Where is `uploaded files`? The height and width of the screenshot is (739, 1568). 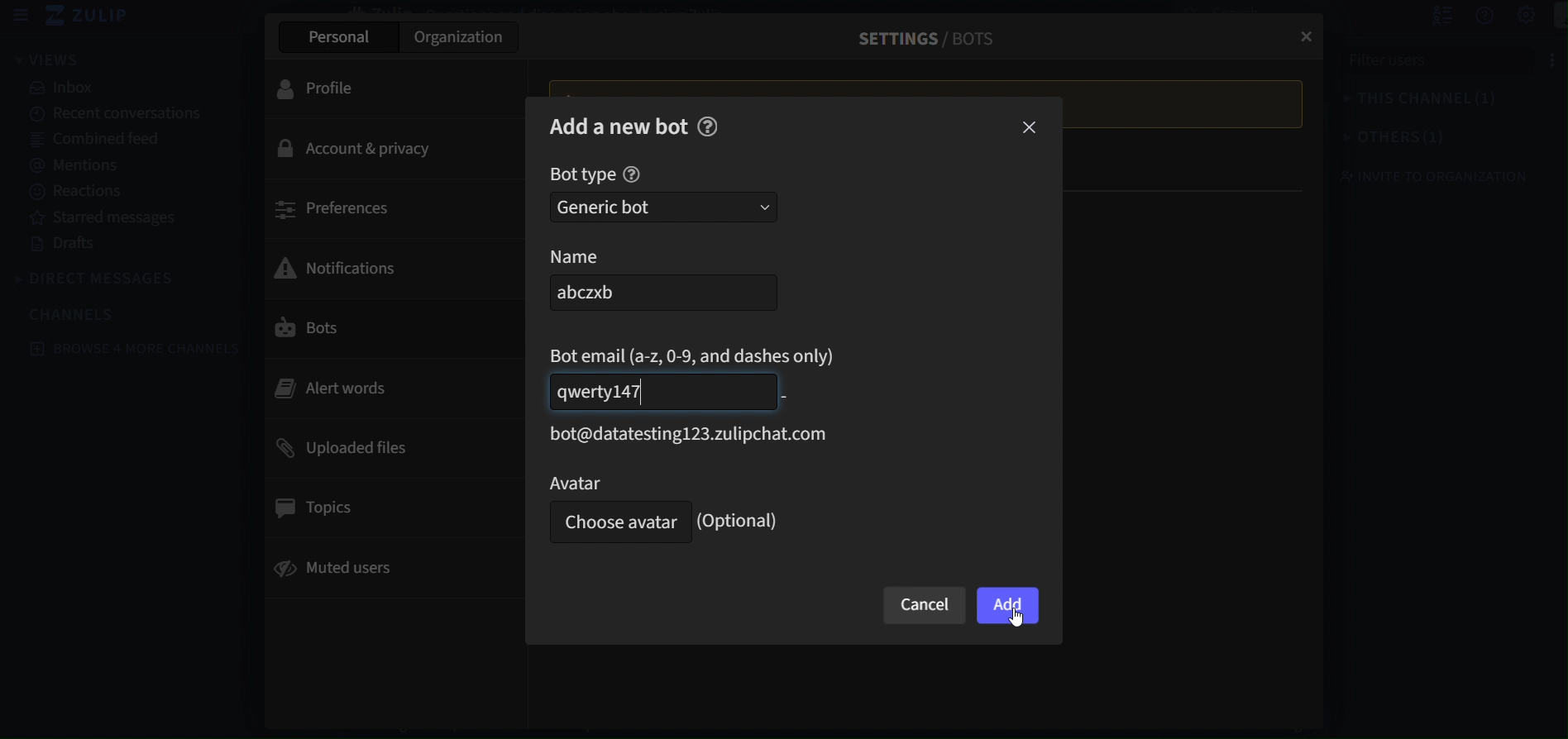 uploaded files is located at coordinates (388, 446).